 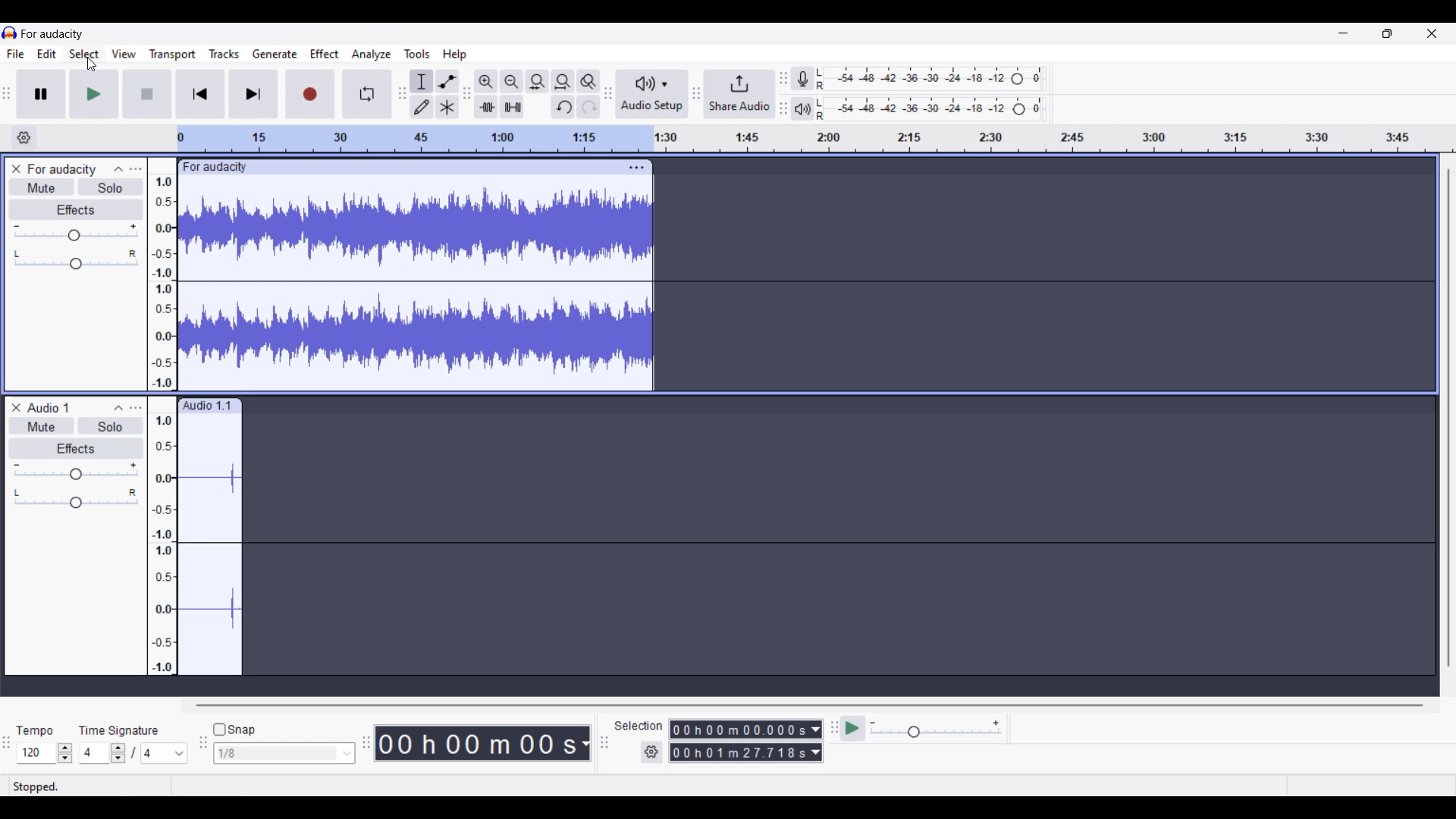 What do you see at coordinates (77, 498) in the screenshot?
I see `pan: center` at bounding box center [77, 498].